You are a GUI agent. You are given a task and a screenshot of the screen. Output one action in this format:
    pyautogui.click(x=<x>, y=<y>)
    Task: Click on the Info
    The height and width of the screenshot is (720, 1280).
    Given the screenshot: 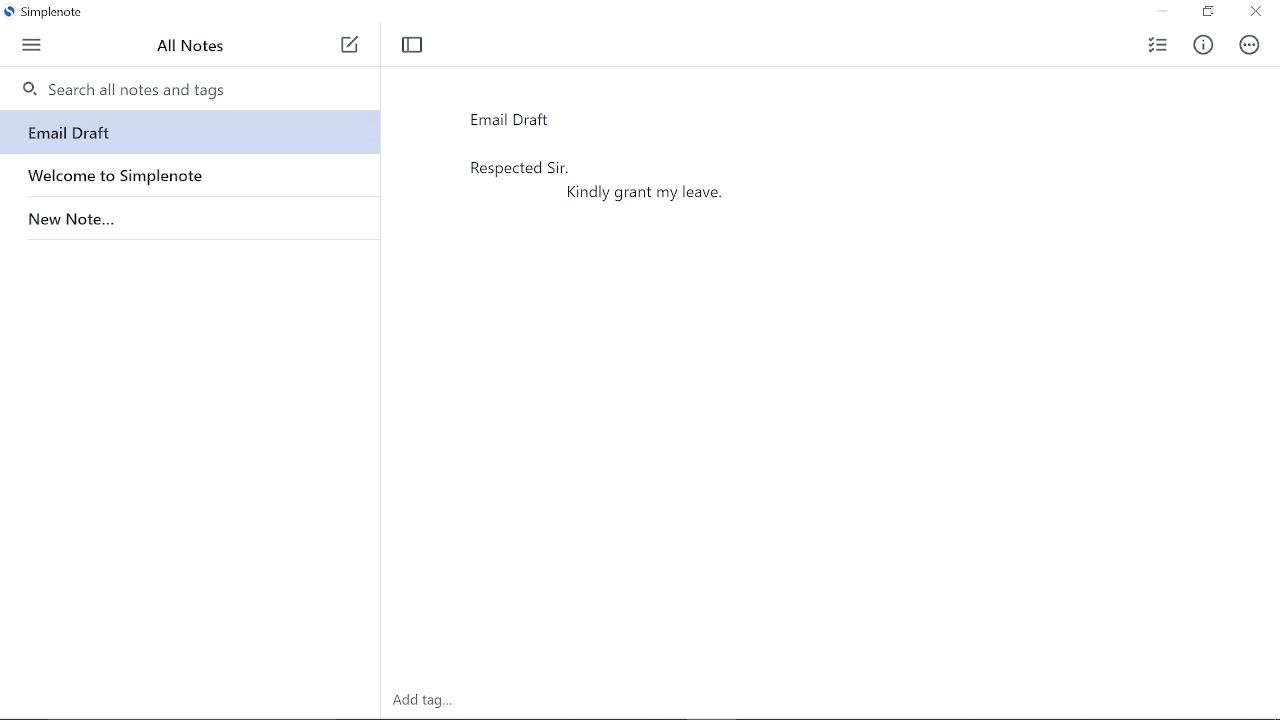 What is the action you would take?
    pyautogui.click(x=1205, y=46)
    